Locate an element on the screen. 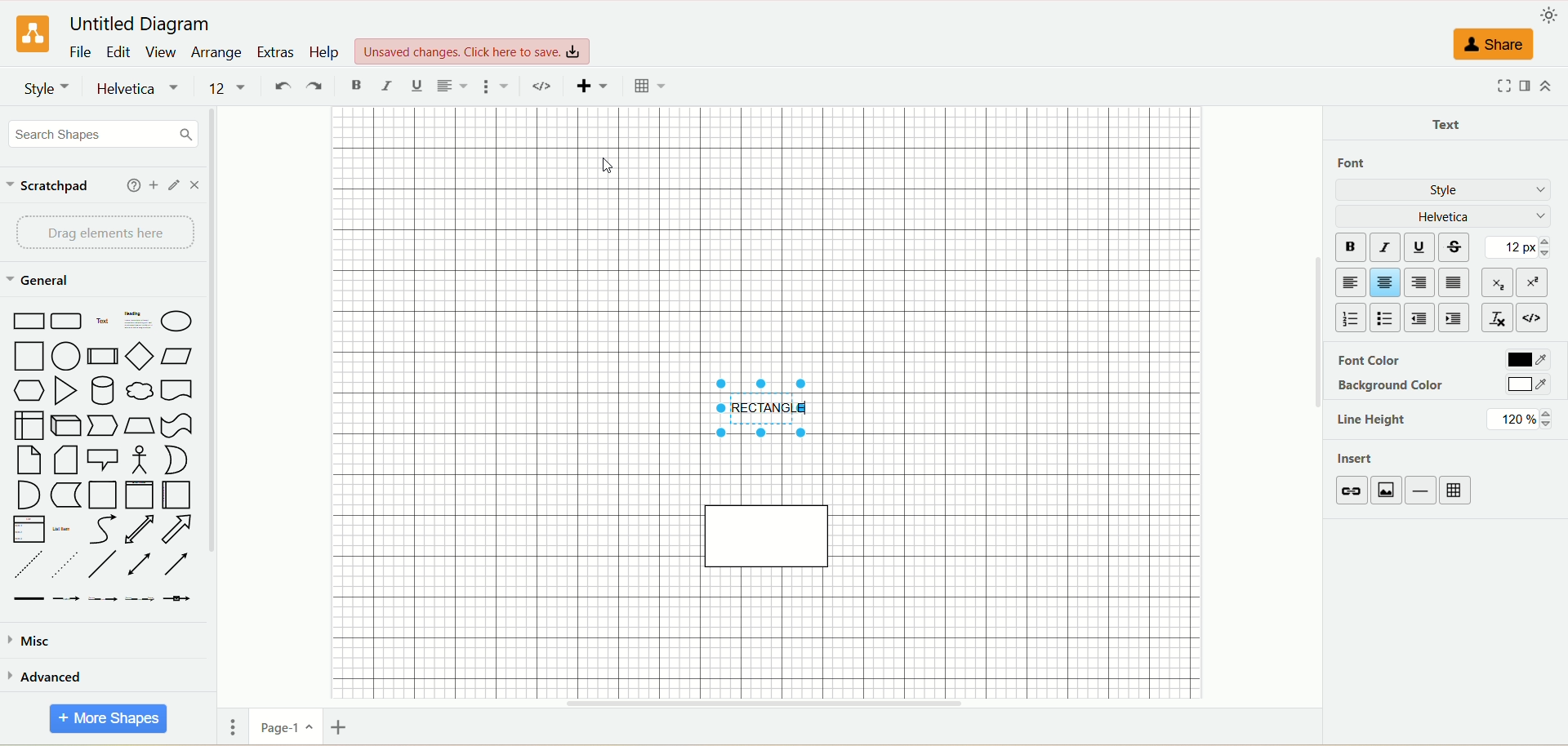 This screenshot has height=746, width=1568. font color is located at coordinates (1443, 360).